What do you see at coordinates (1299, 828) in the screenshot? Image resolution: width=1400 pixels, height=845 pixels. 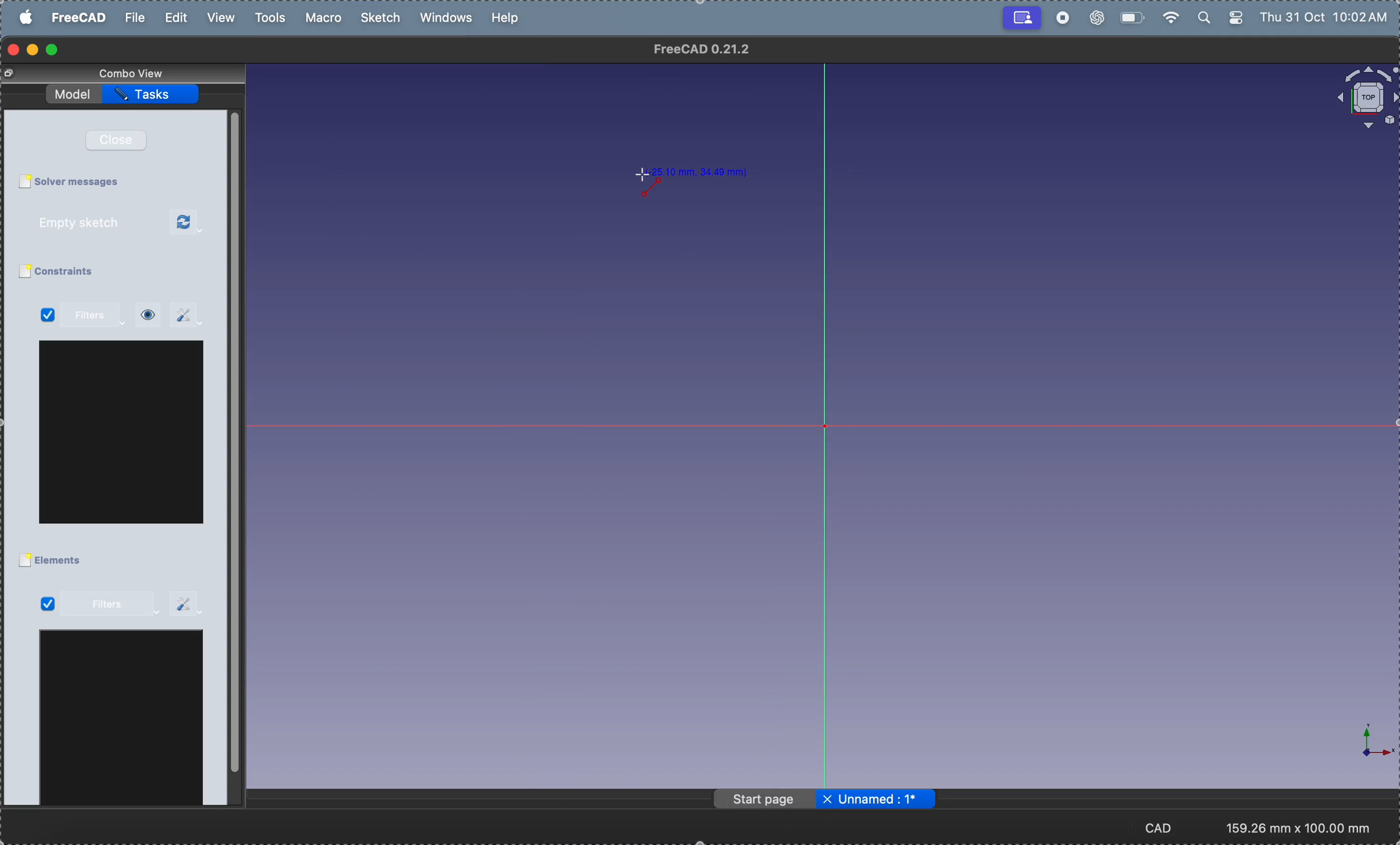 I see `193.17 mm x 100.00 mm` at bounding box center [1299, 828].